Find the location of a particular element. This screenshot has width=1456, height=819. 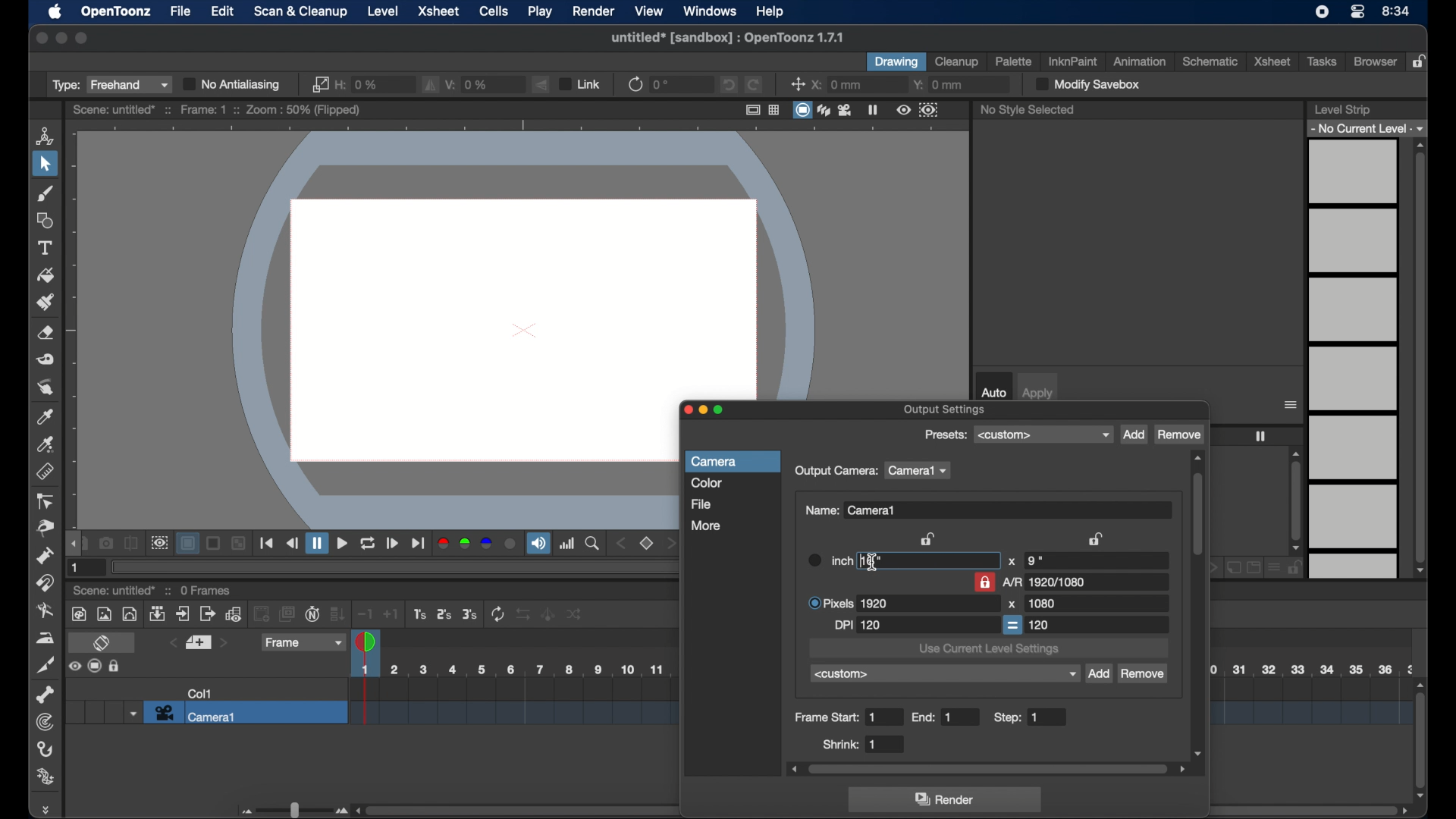

 is located at coordinates (116, 667).